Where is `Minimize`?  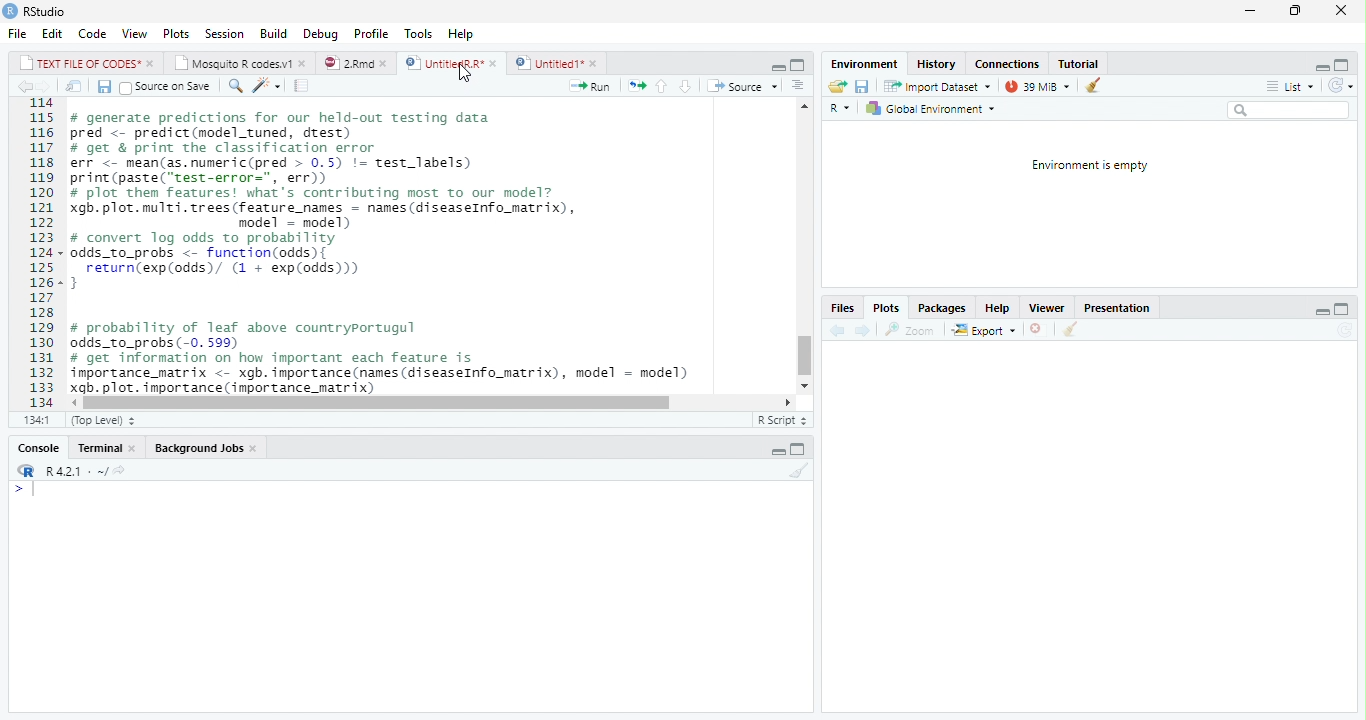 Minimize is located at coordinates (1318, 65).